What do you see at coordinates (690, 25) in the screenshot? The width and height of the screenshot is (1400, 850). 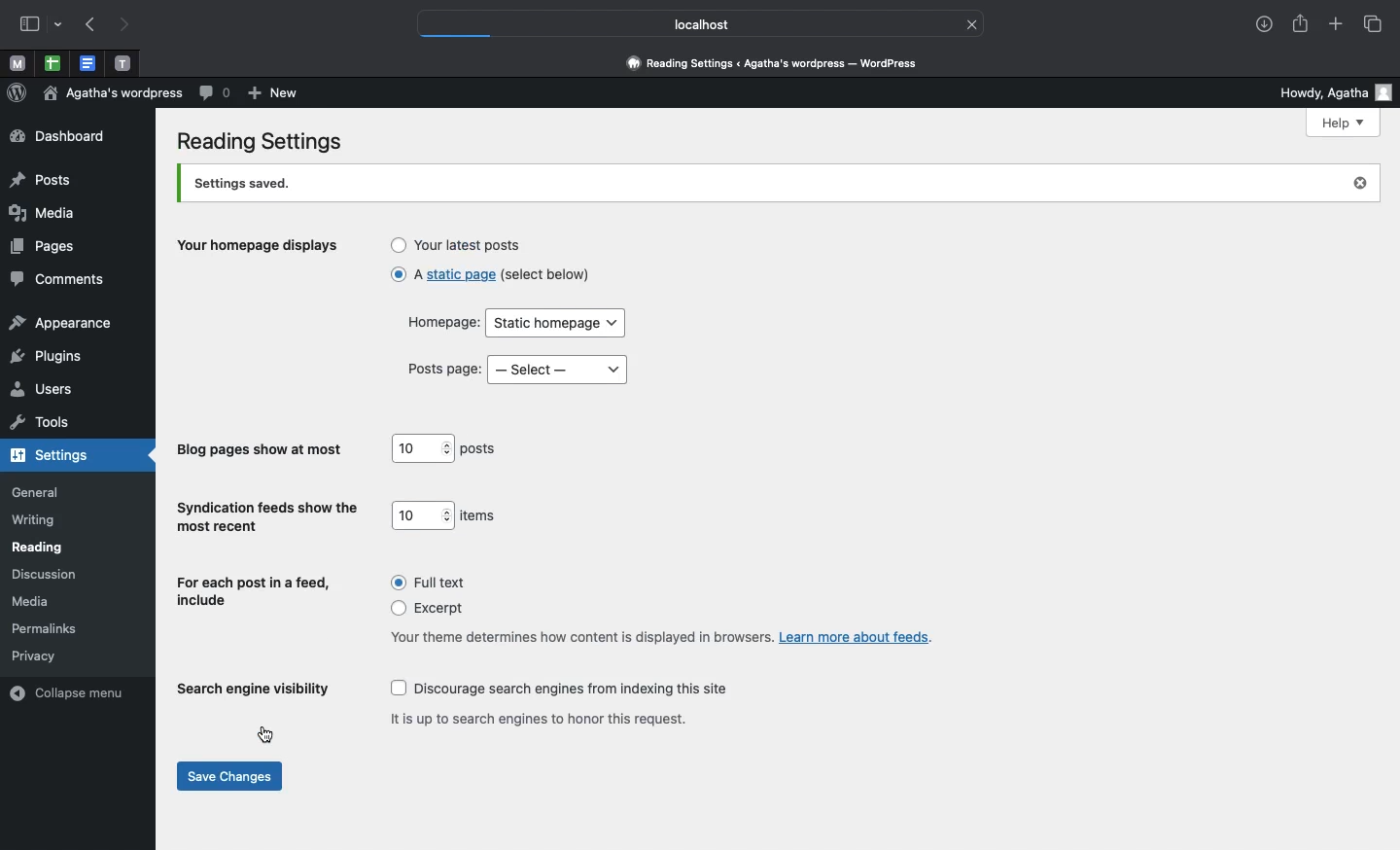 I see `Localhost` at bounding box center [690, 25].